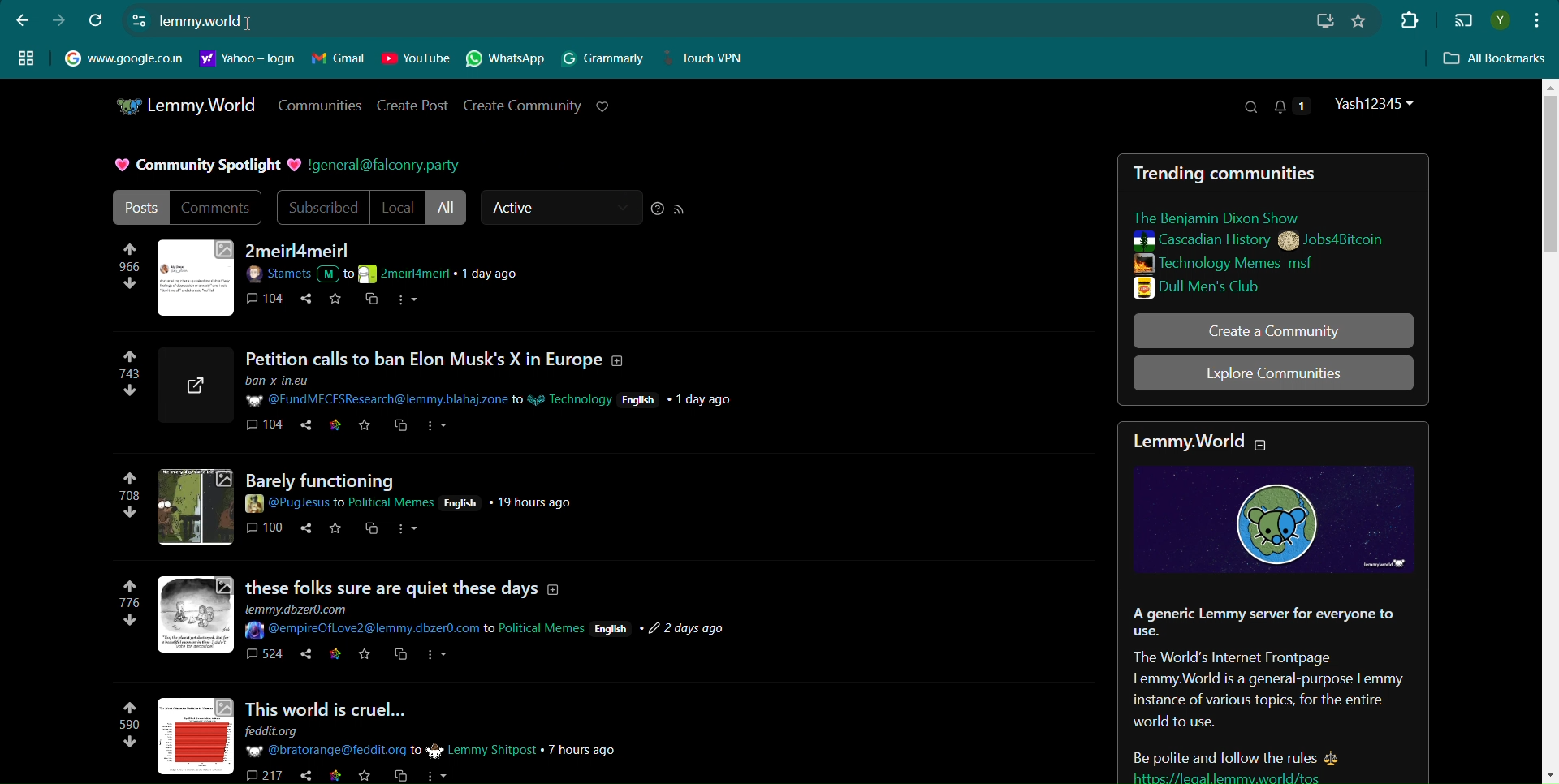 This screenshot has height=784, width=1559. Describe the element at coordinates (507, 59) in the screenshot. I see `Whatsapp` at that location.